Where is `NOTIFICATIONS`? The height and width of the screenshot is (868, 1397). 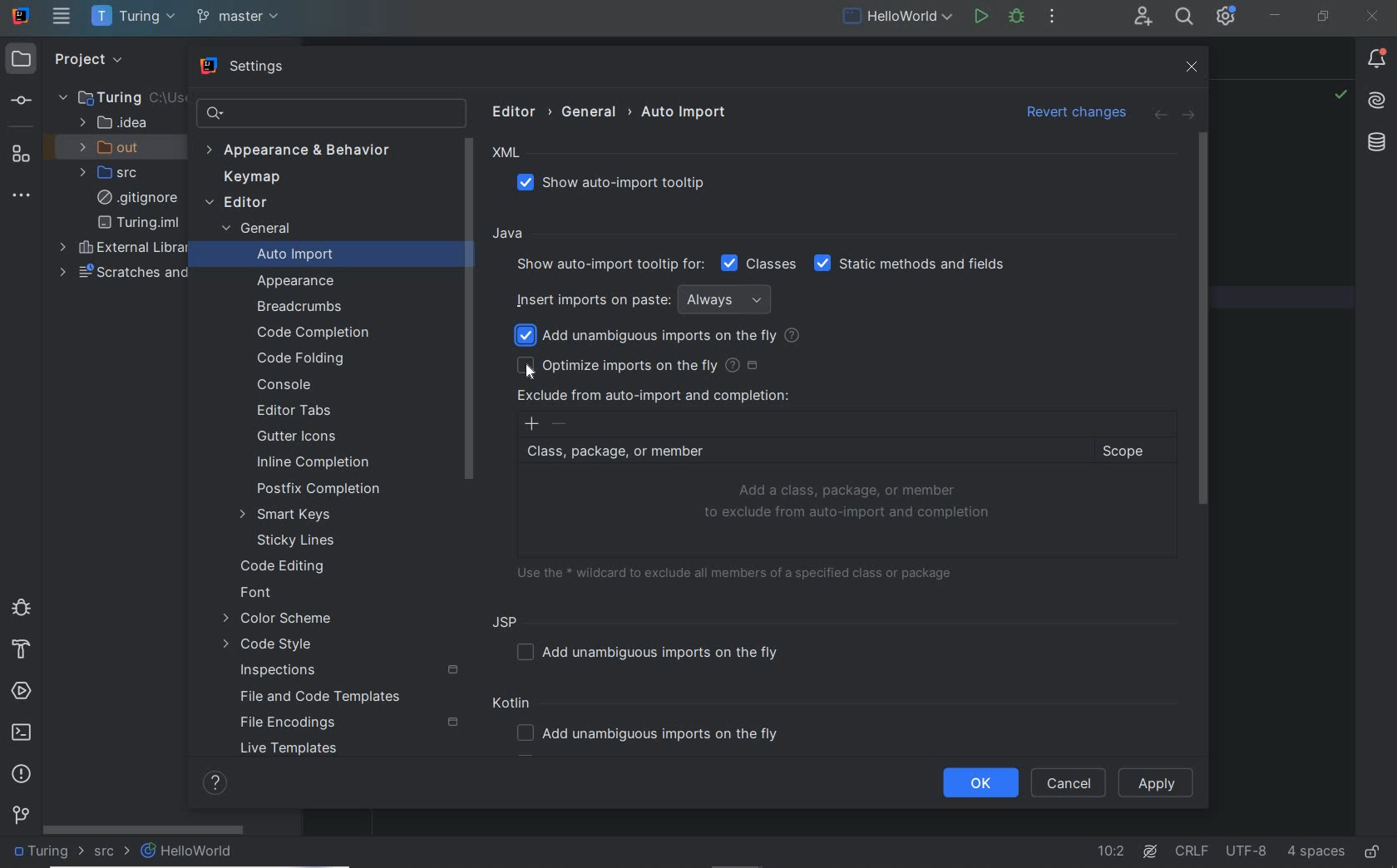 NOTIFICATIONS is located at coordinates (1377, 60).